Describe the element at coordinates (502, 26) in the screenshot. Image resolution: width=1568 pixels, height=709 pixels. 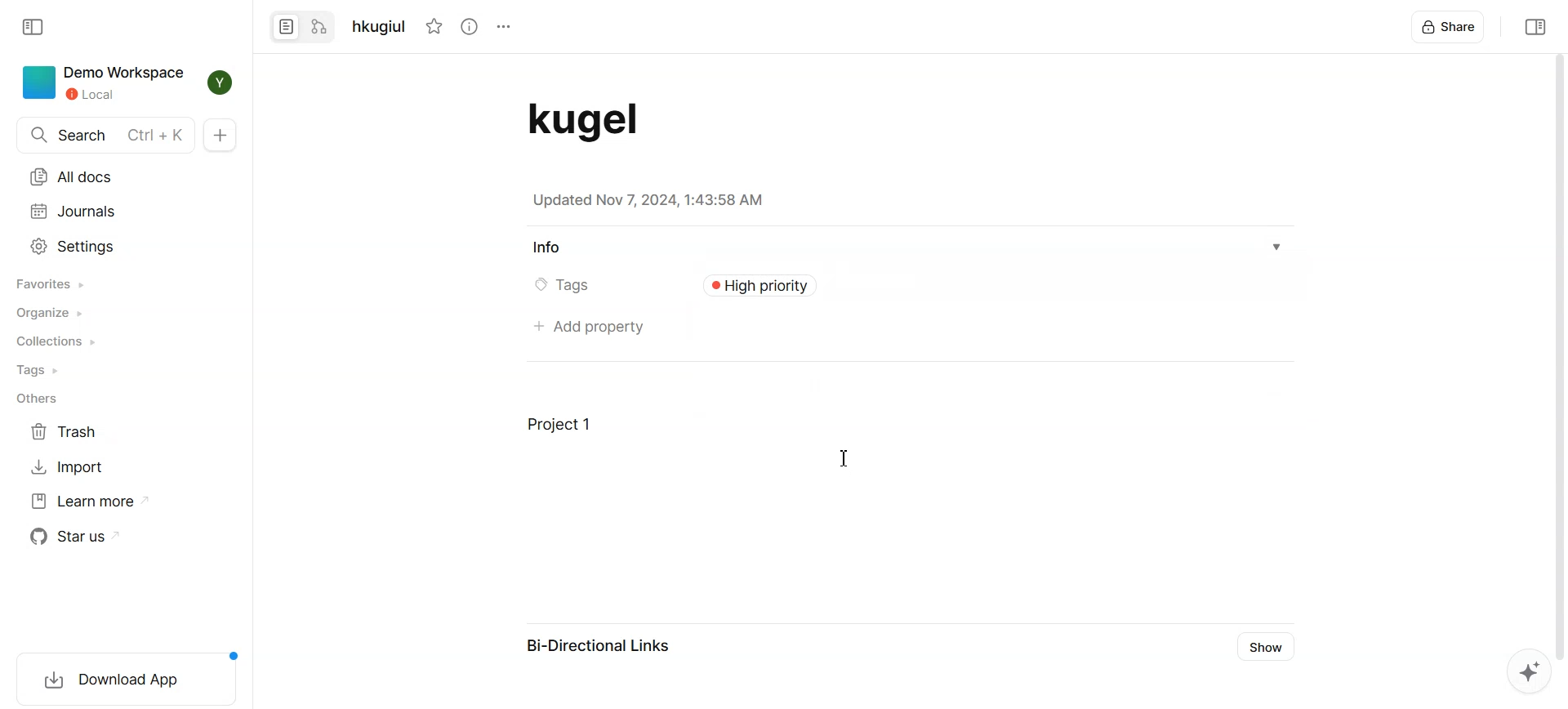
I see `options` at that location.